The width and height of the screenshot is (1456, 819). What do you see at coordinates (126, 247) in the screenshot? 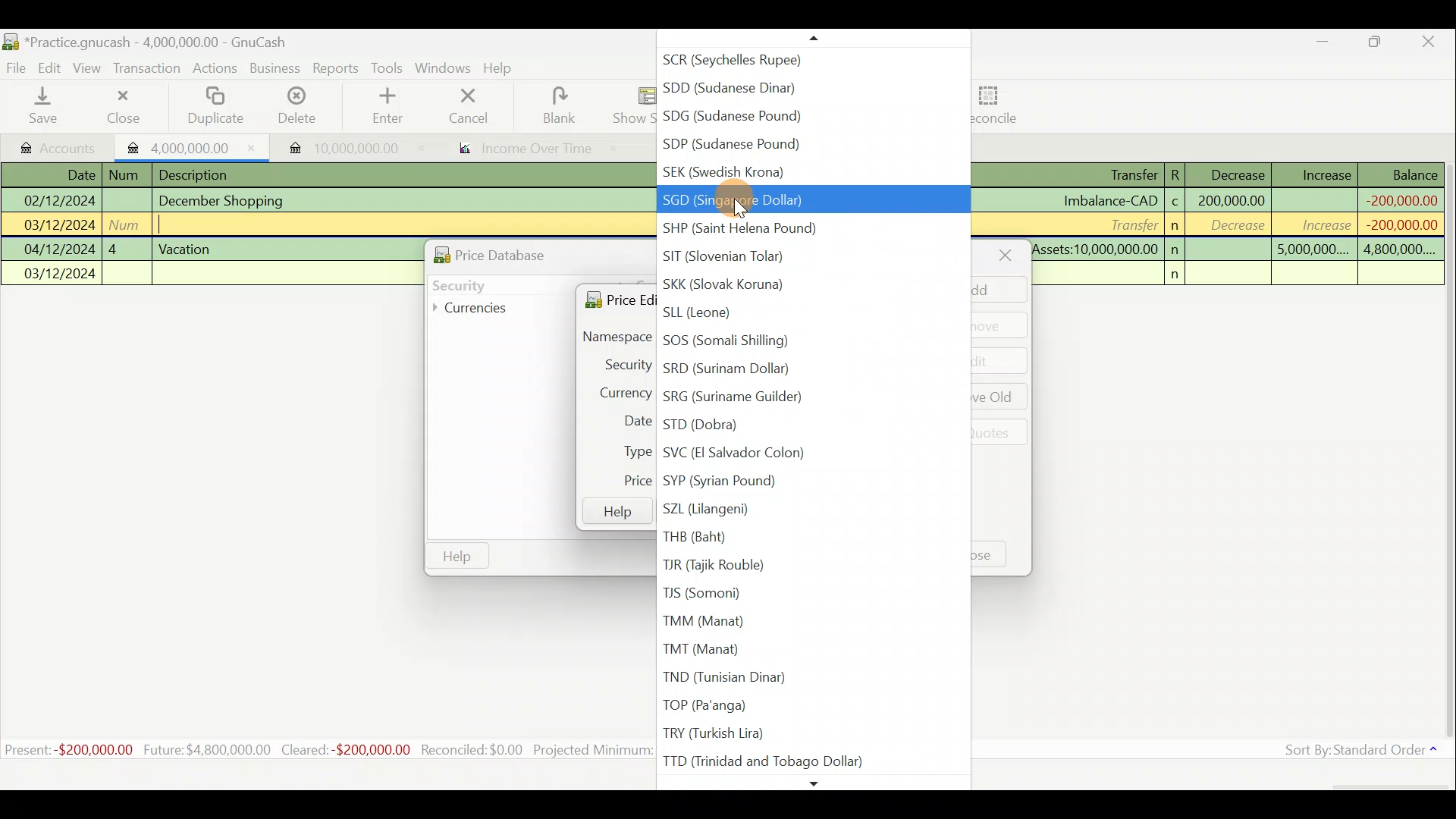
I see `4` at bounding box center [126, 247].